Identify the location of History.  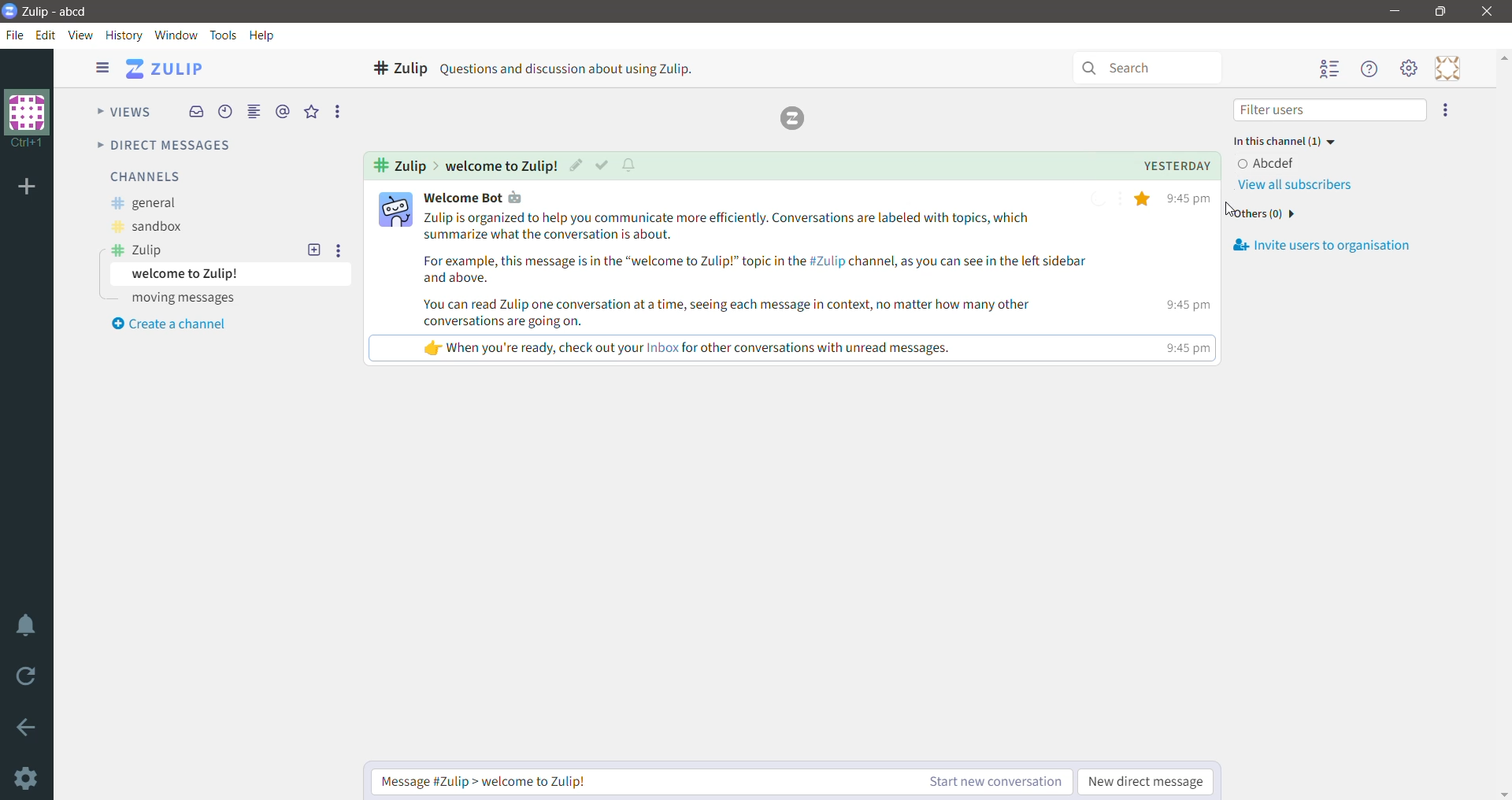
(124, 35).